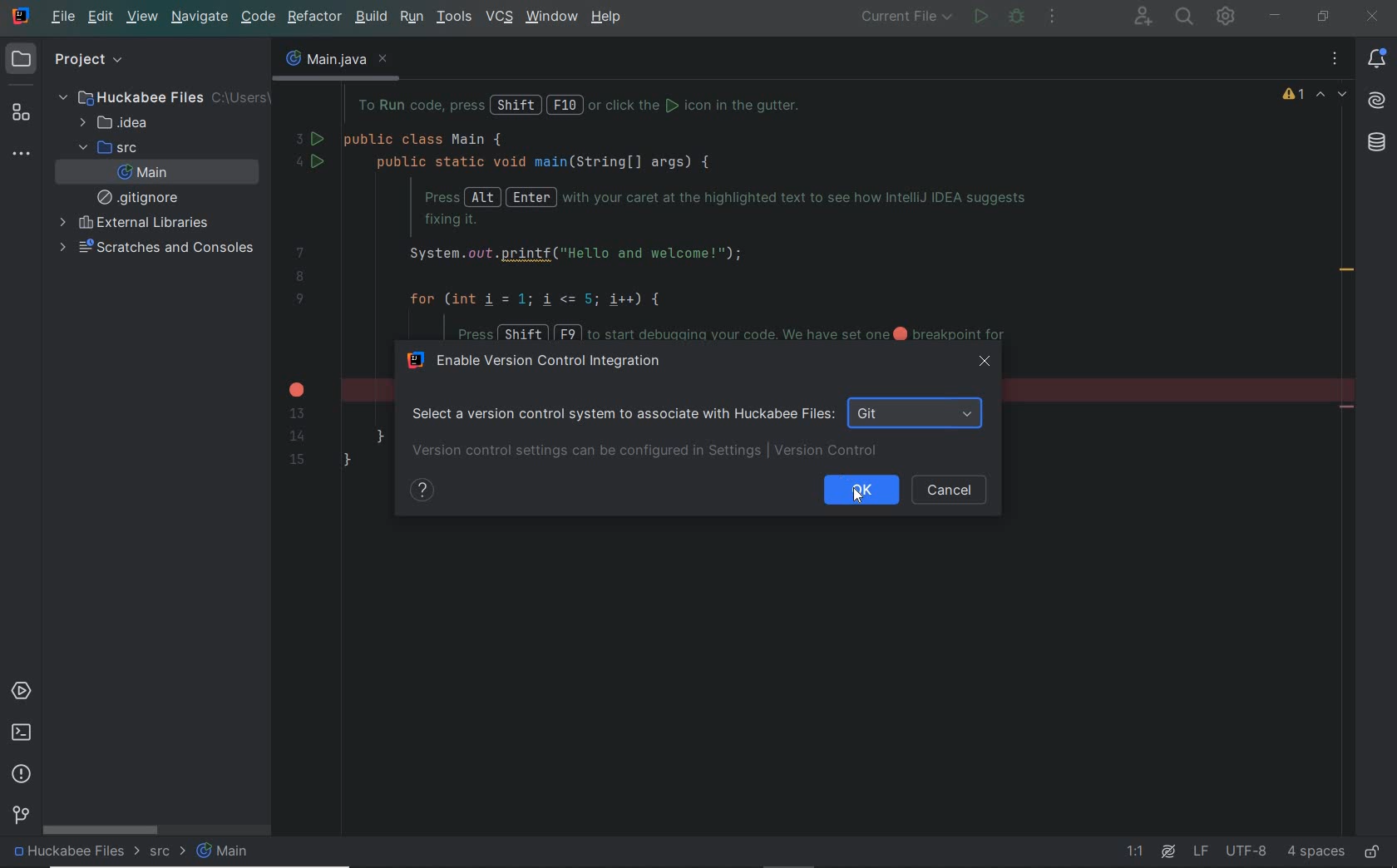 The height and width of the screenshot is (868, 1397). Describe the element at coordinates (454, 17) in the screenshot. I see `tools` at that location.